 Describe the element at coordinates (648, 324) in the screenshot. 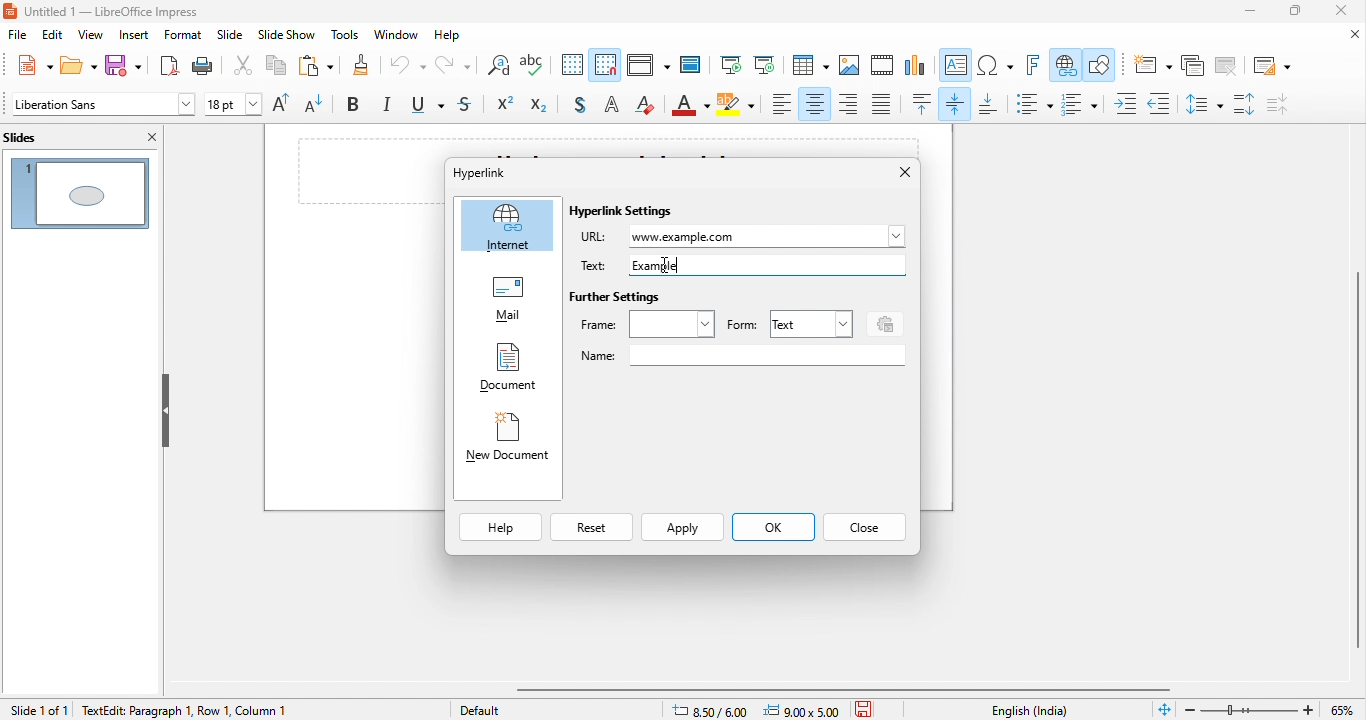

I see `frame` at that location.